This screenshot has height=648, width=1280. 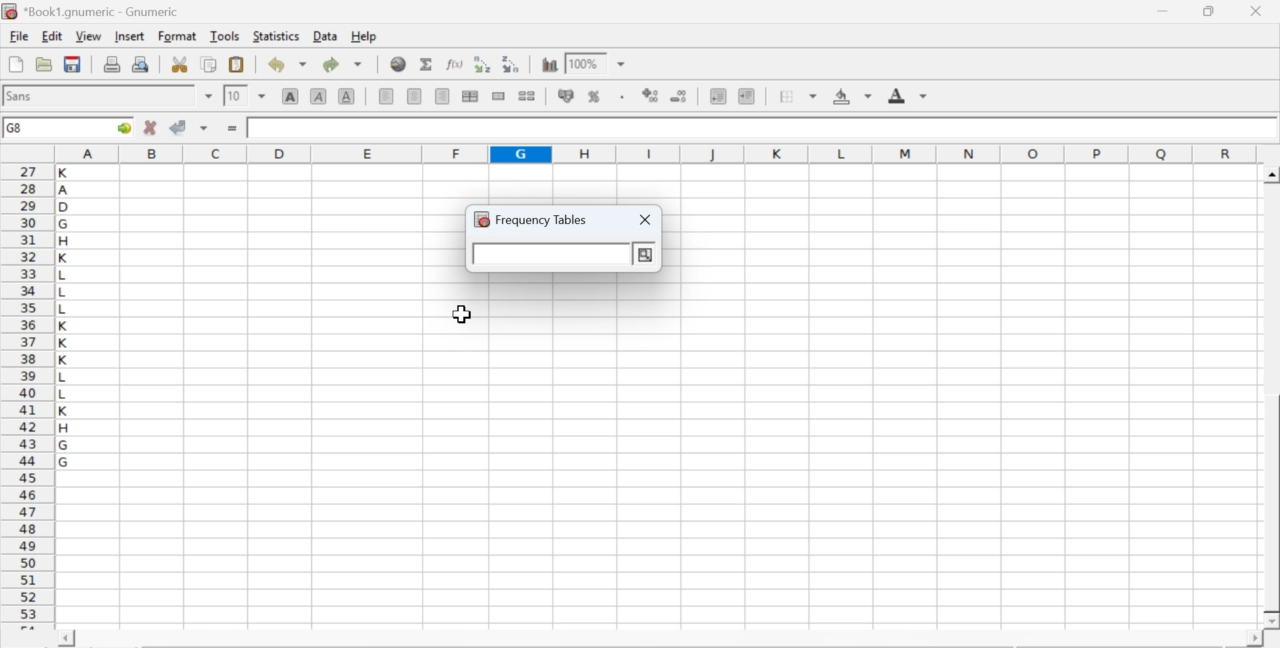 What do you see at coordinates (327, 35) in the screenshot?
I see `data` at bounding box center [327, 35].